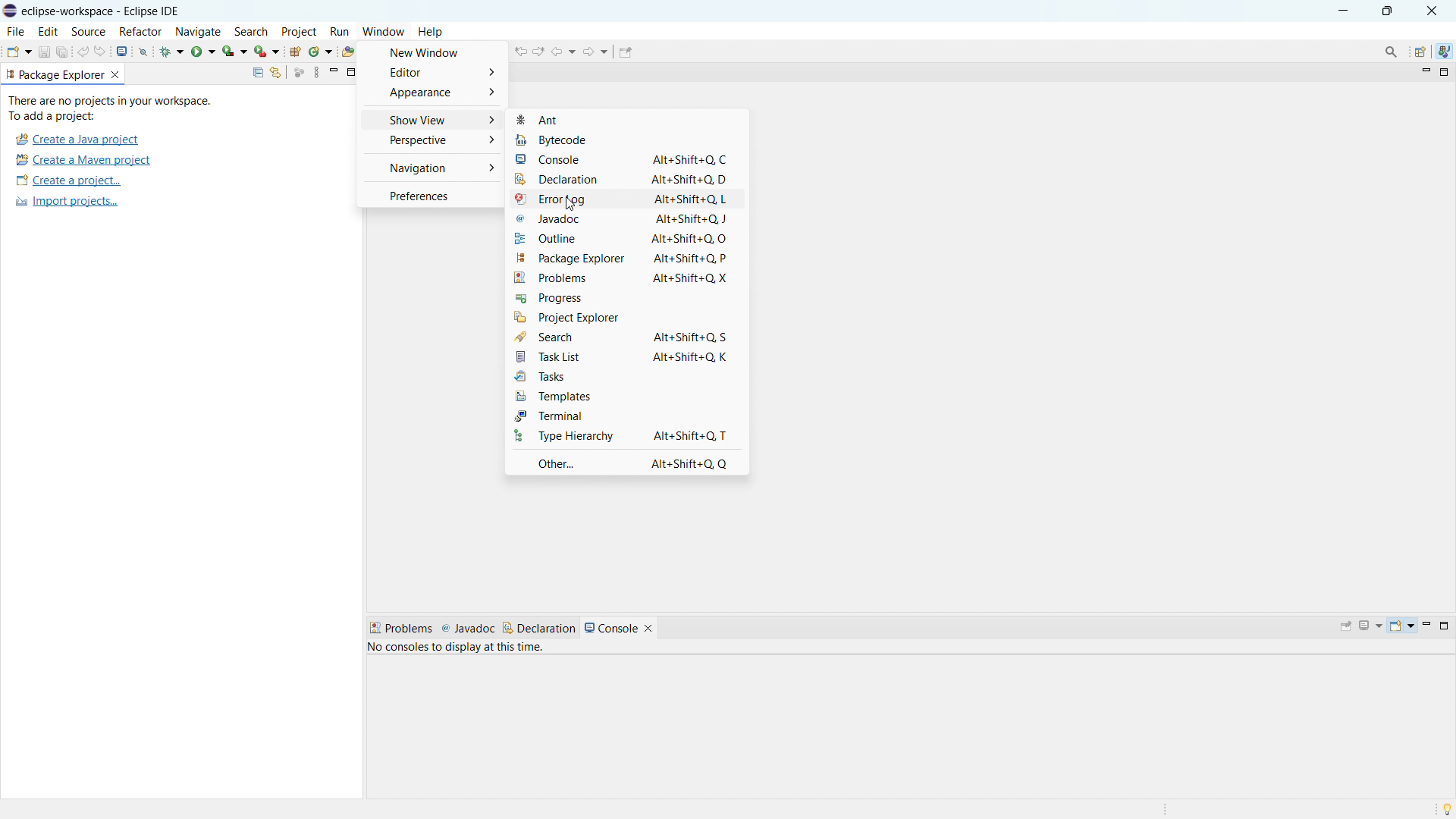 The image size is (1456, 819). What do you see at coordinates (468, 628) in the screenshot?
I see `Javadoc` at bounding box center [468, 628].